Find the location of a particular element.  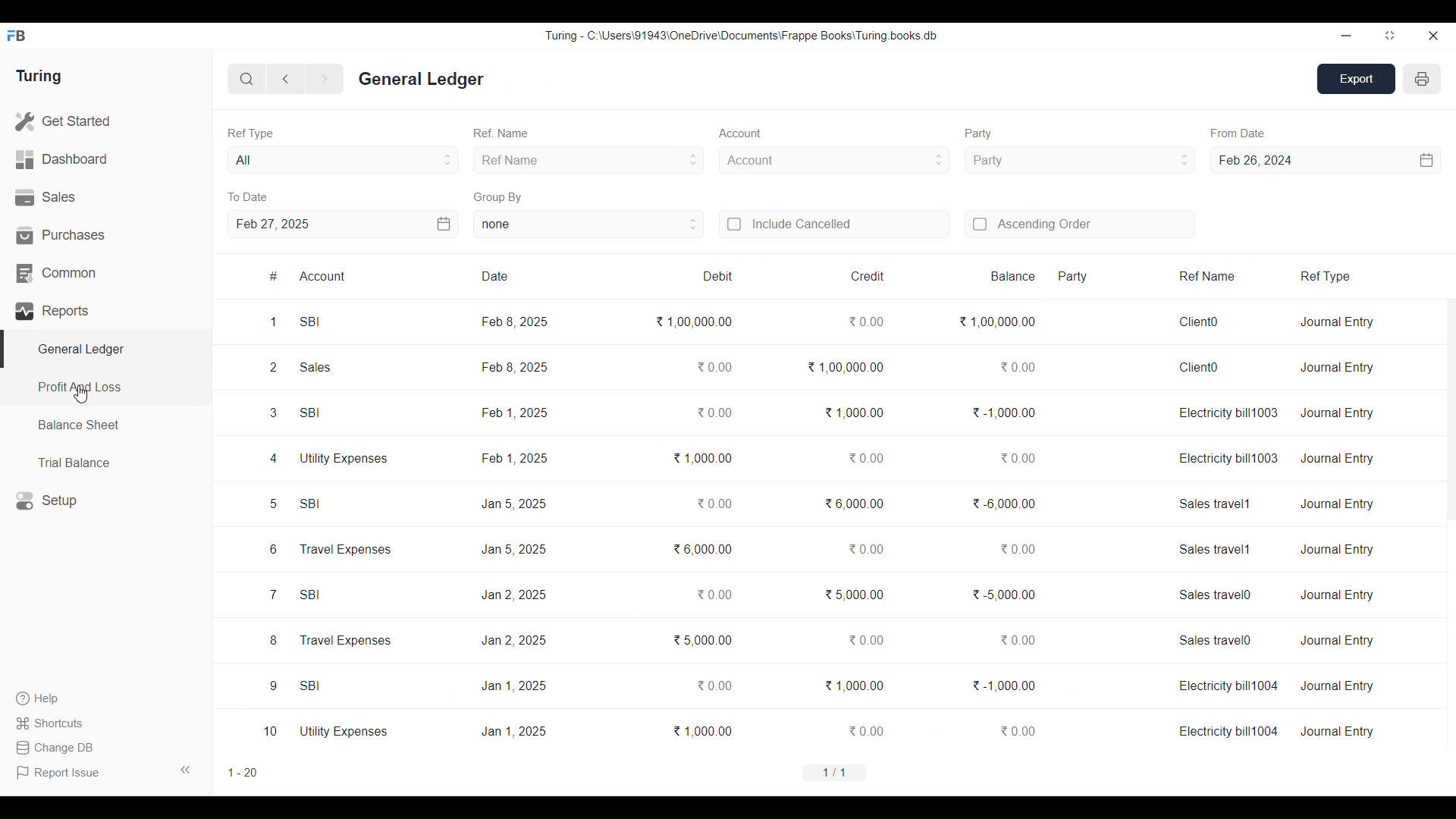

0.00 is located at coordinates (866, 548).